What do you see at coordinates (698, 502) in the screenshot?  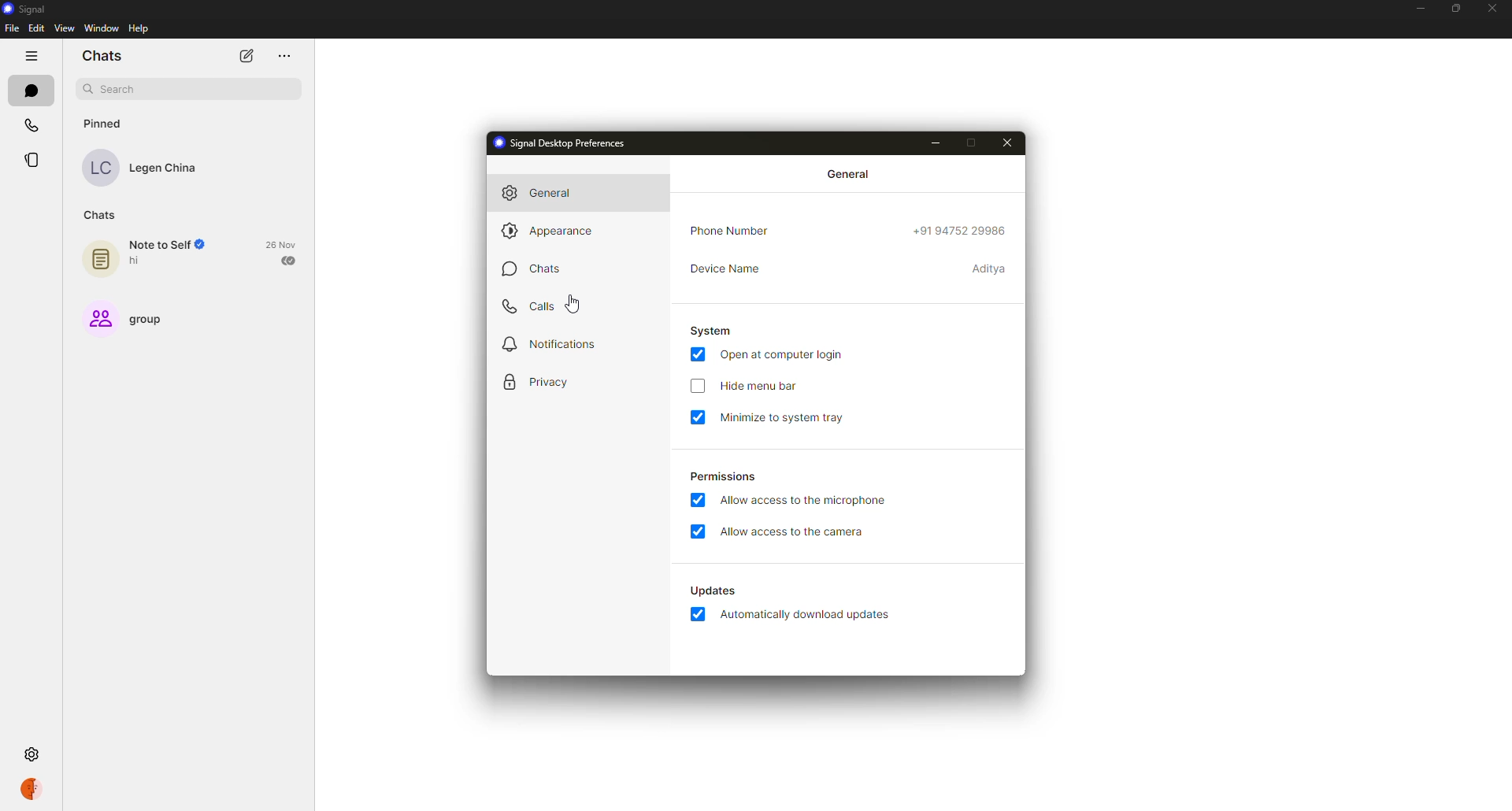 I see `enabled` at bounding box center [698, 502].